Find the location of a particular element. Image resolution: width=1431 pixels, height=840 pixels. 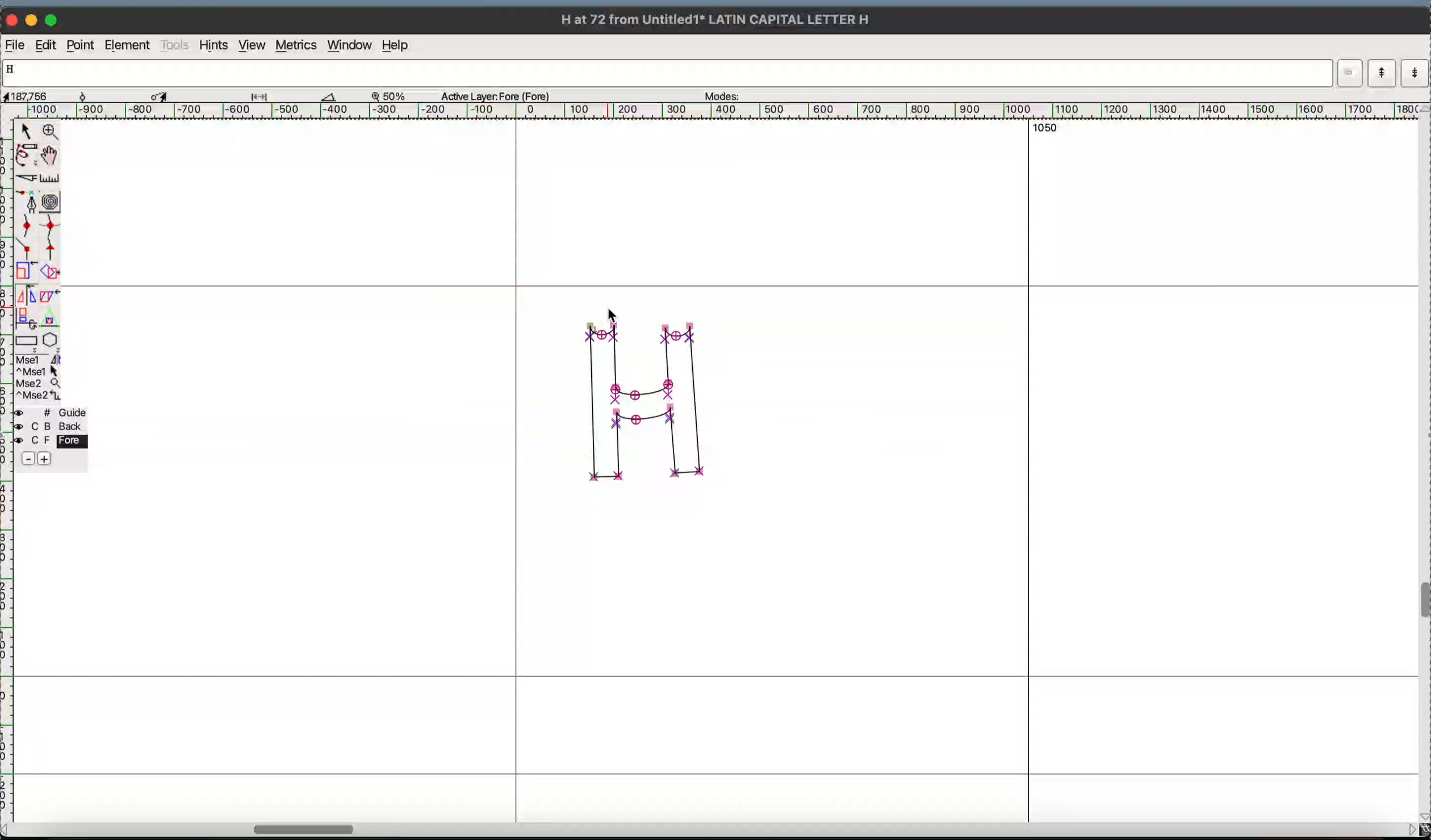

ruler is located at coordinates (10, 648).